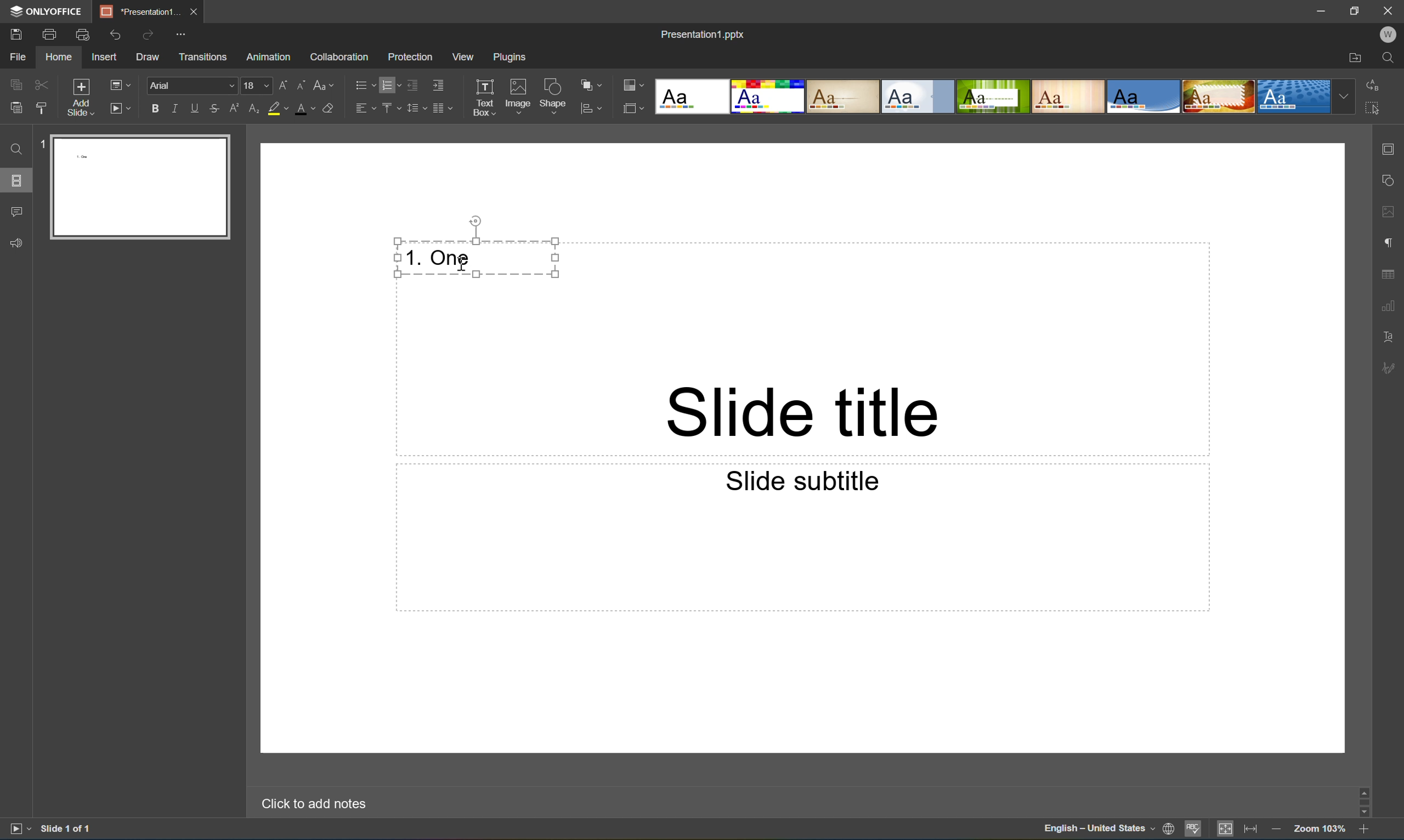  Describe the element at coordinates (1366, 800) in the screenshot. I see `Scroll bar` at that location.